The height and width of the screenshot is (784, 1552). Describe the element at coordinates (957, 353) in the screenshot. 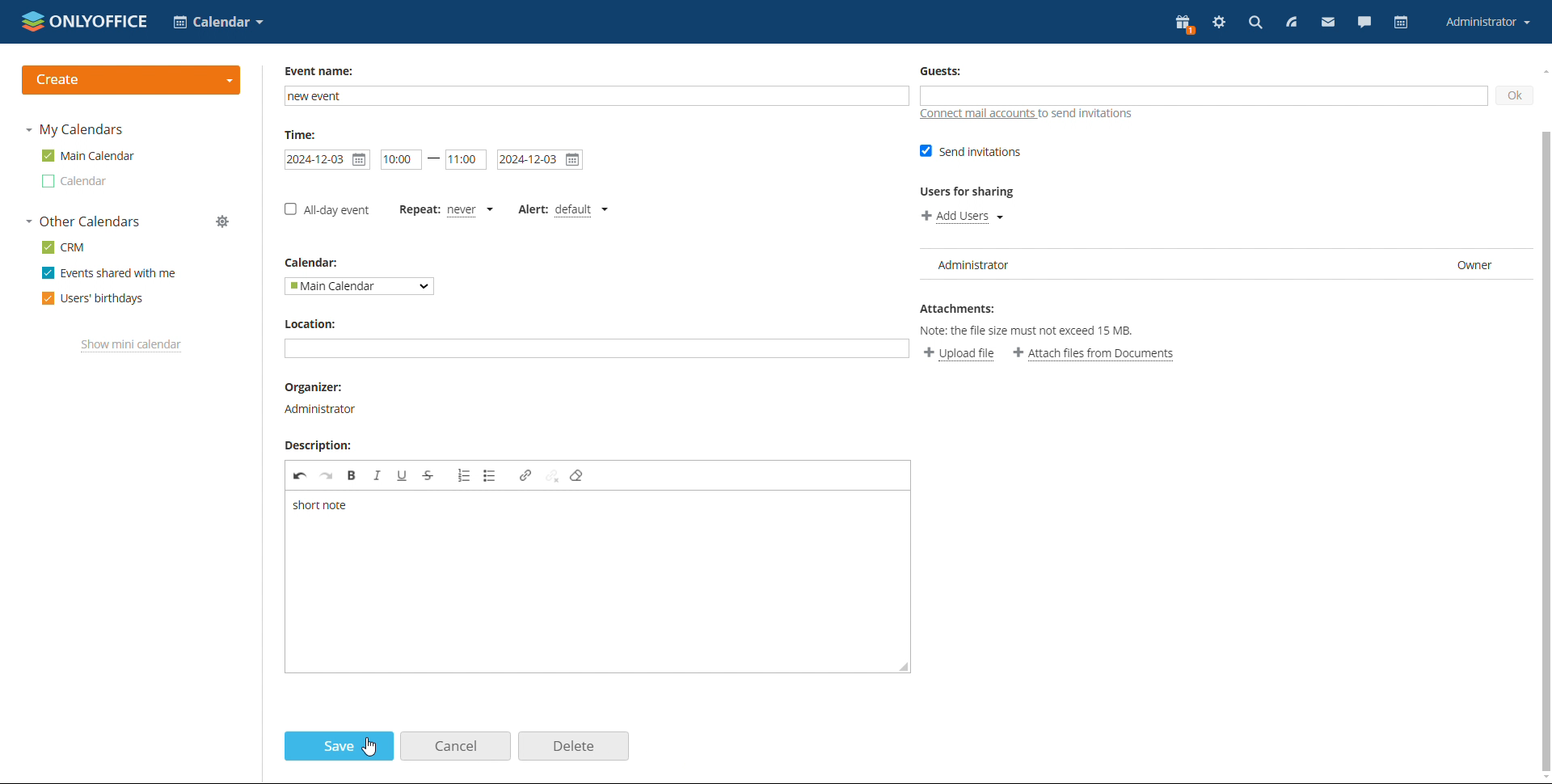

I see `upload file` at that location.